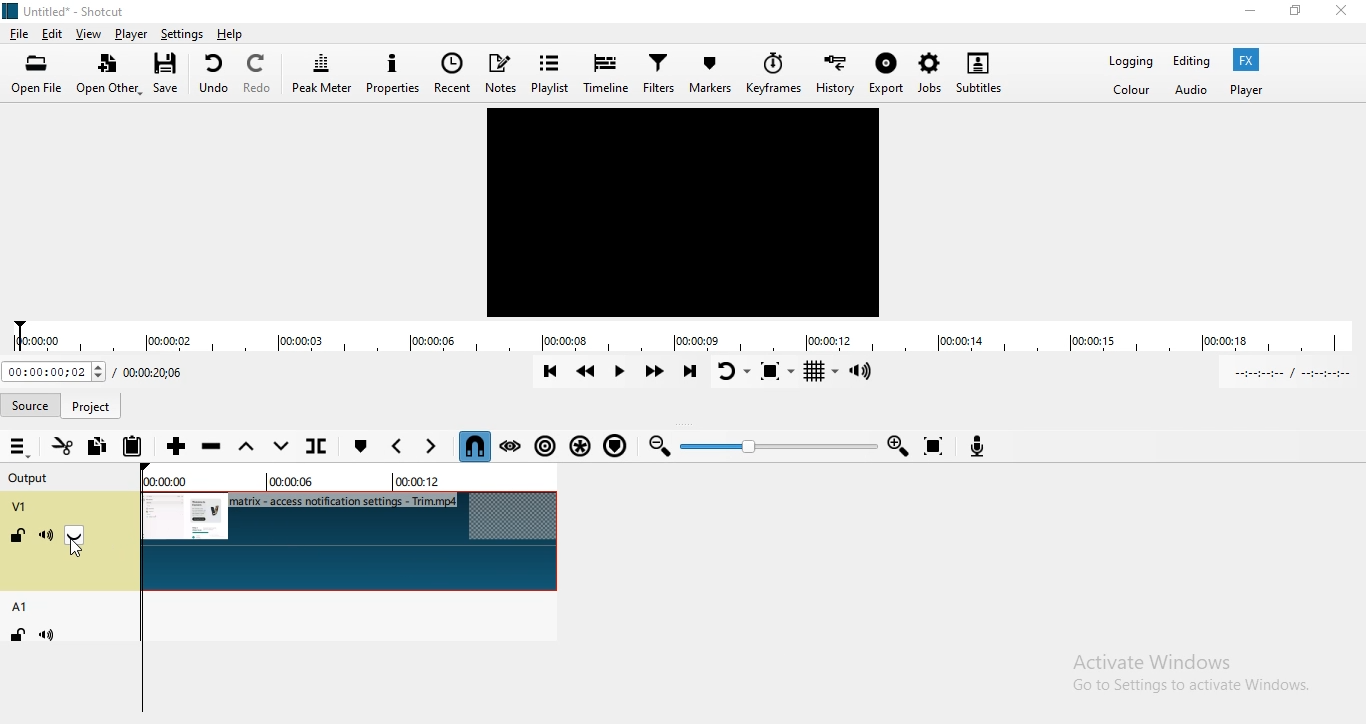  Describe the element at coordinates (177, 447) in the screenshot. I see `Append` at that location.